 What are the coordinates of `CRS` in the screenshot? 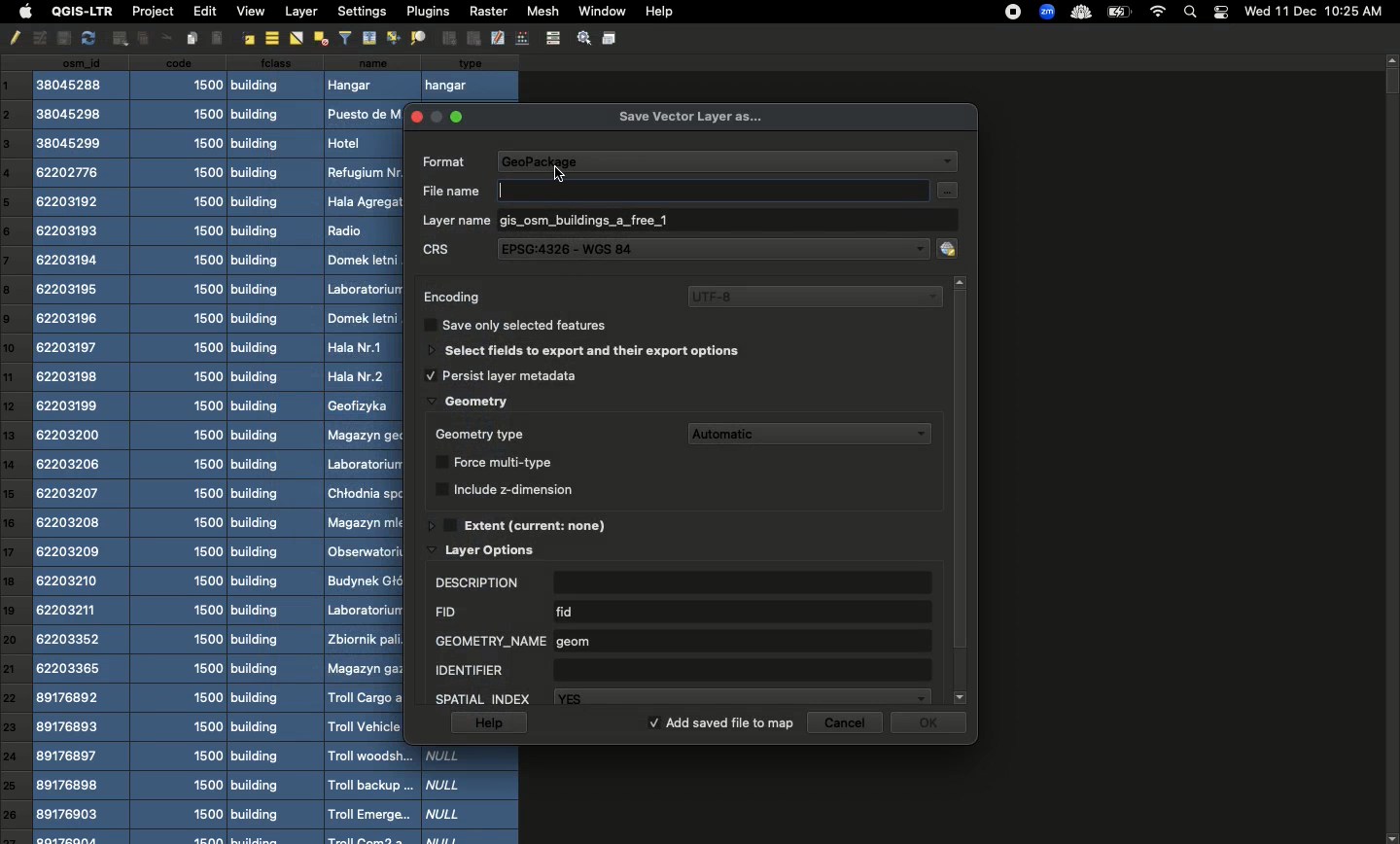 It's located at (447, 251).